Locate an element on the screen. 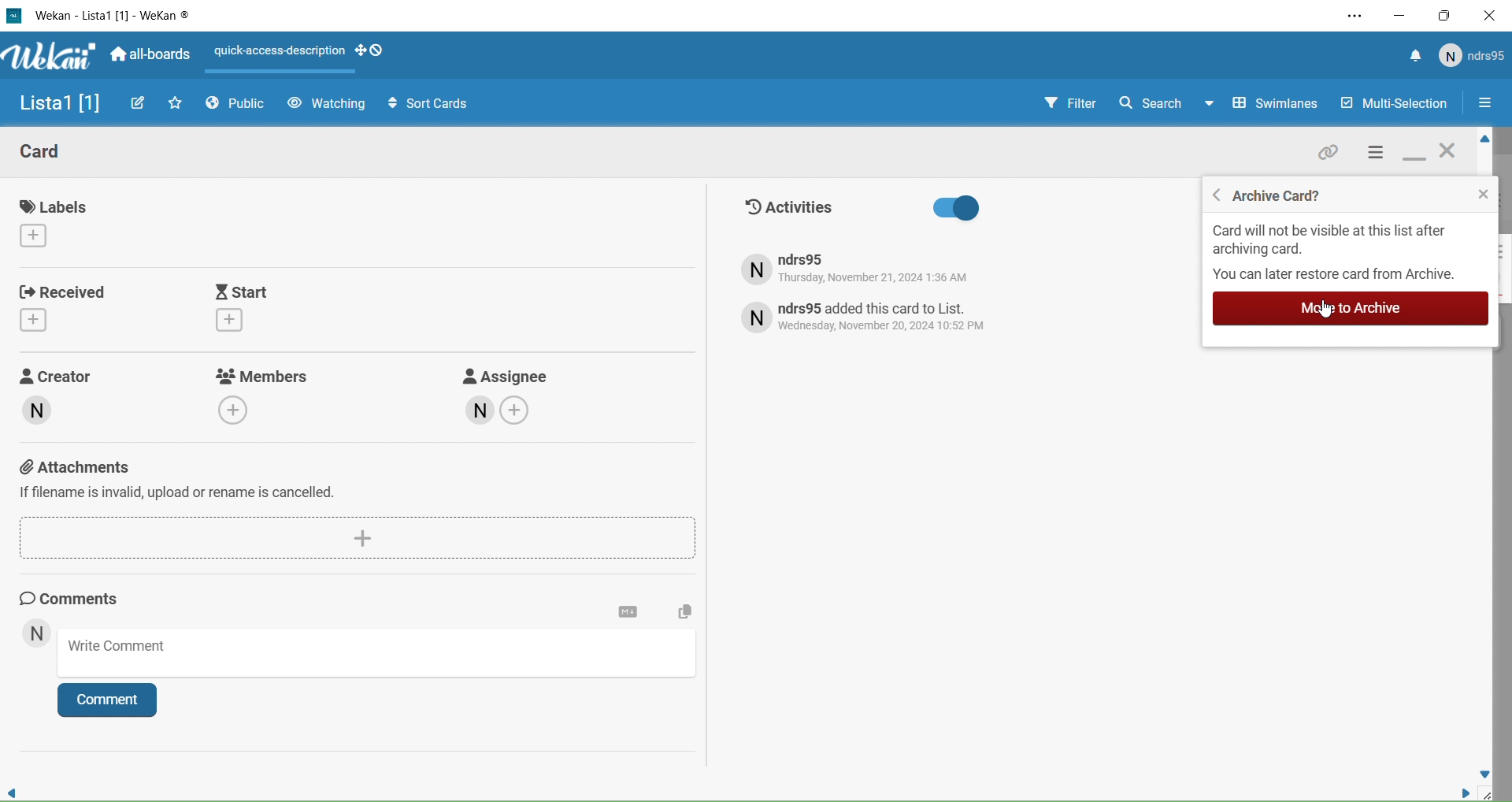  Card is located at coordinates (629, 611).